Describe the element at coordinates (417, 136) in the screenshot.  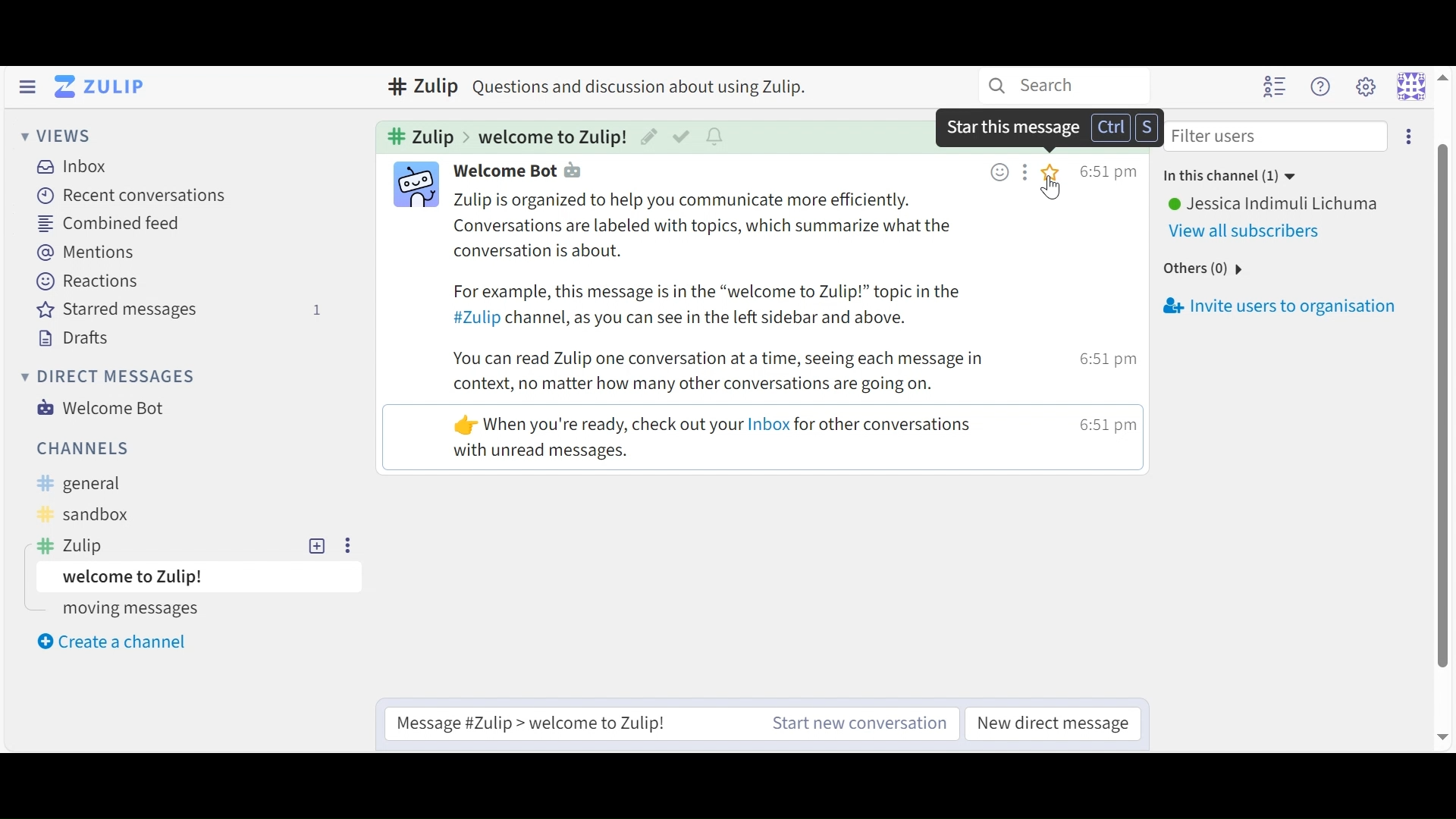
I see `Cannel` at that location.